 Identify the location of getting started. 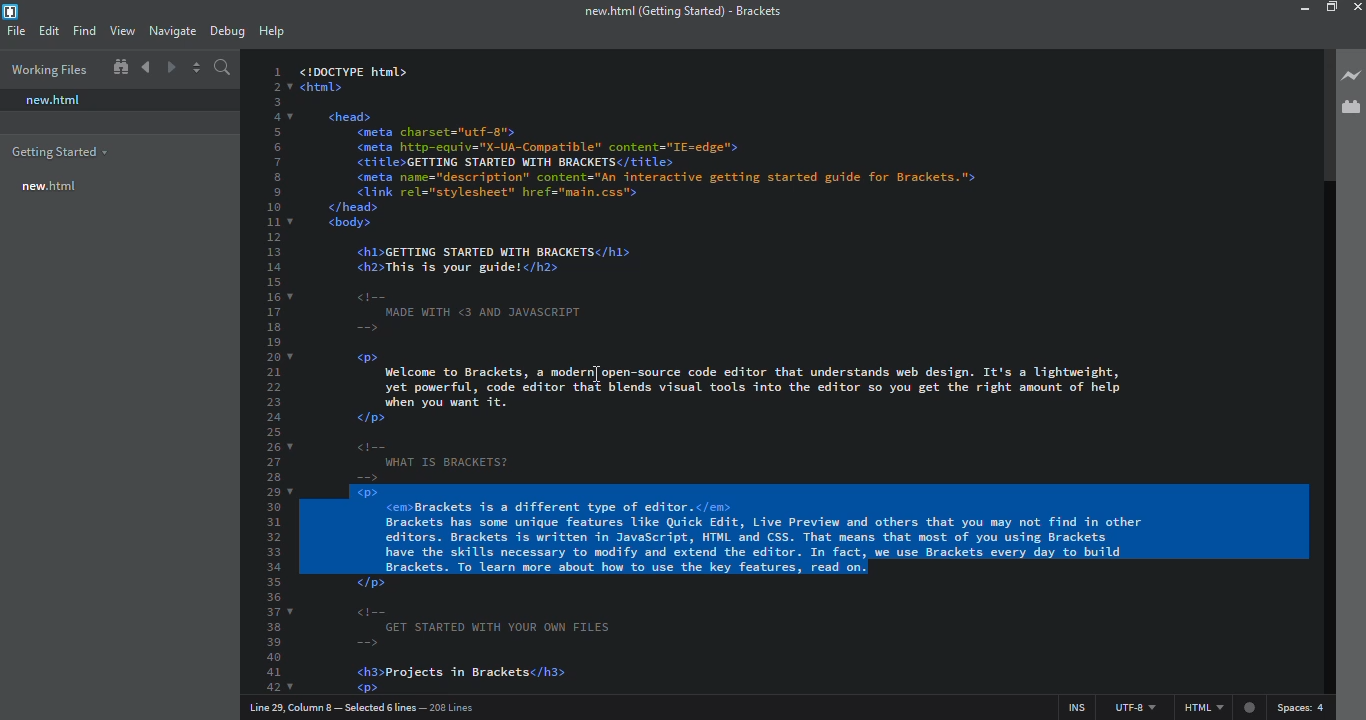
(61, 152).